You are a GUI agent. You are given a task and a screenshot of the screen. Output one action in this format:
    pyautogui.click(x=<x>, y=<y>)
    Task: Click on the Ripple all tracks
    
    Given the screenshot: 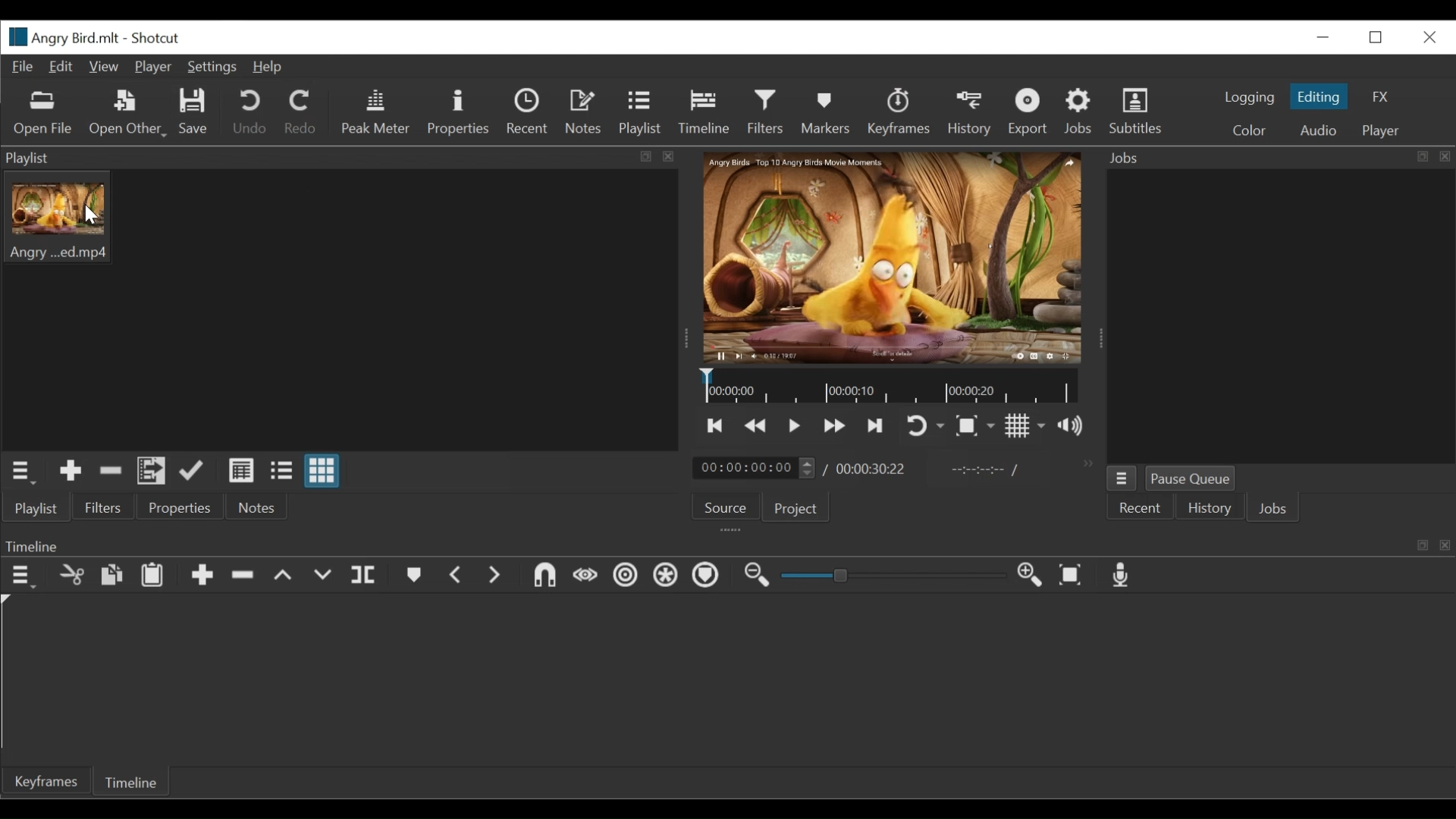 What is the action you would take?
    pyautogui.click(x=665, y=575)
    